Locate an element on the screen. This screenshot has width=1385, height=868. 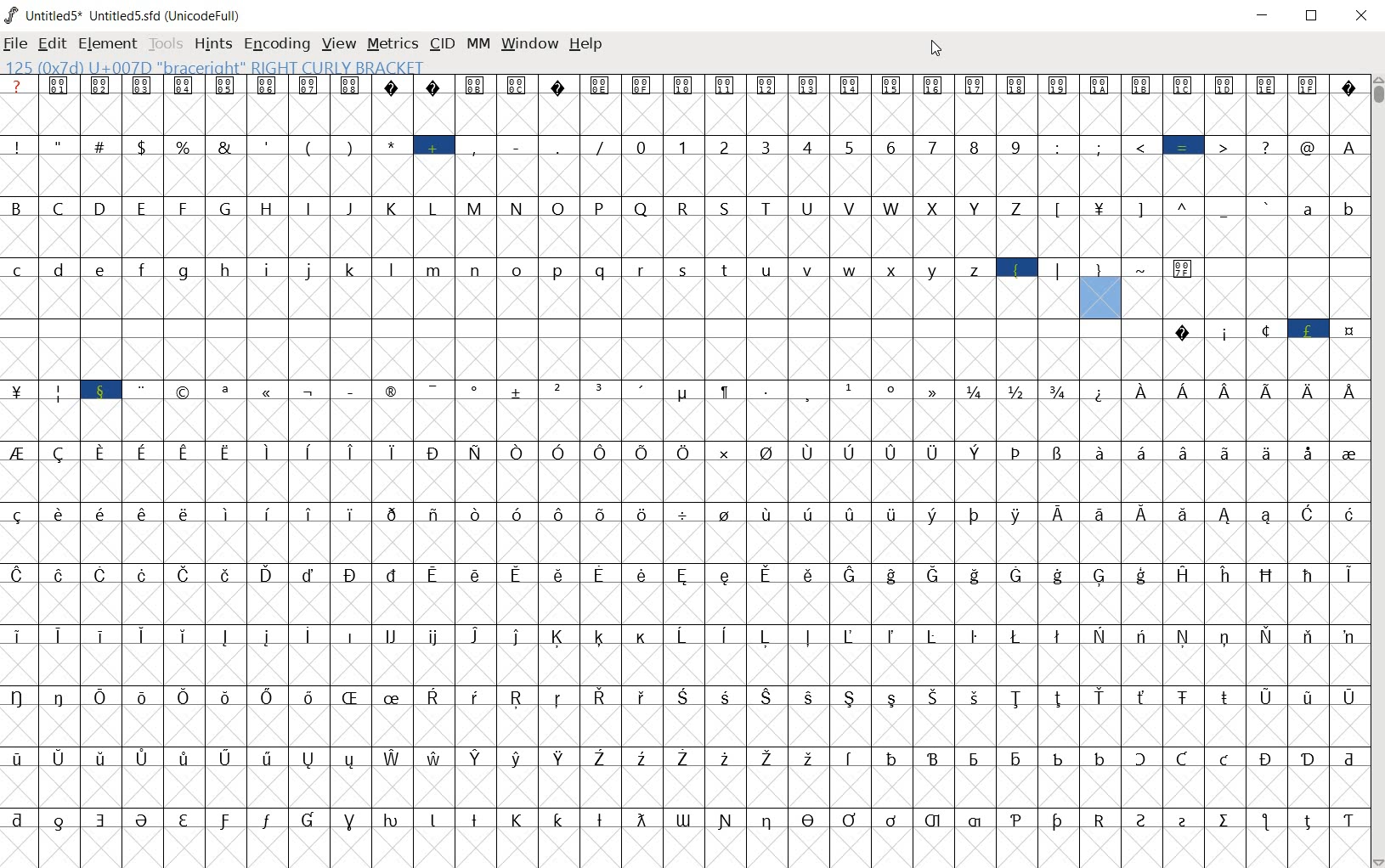
HELP is located at coordinates (586, 43).